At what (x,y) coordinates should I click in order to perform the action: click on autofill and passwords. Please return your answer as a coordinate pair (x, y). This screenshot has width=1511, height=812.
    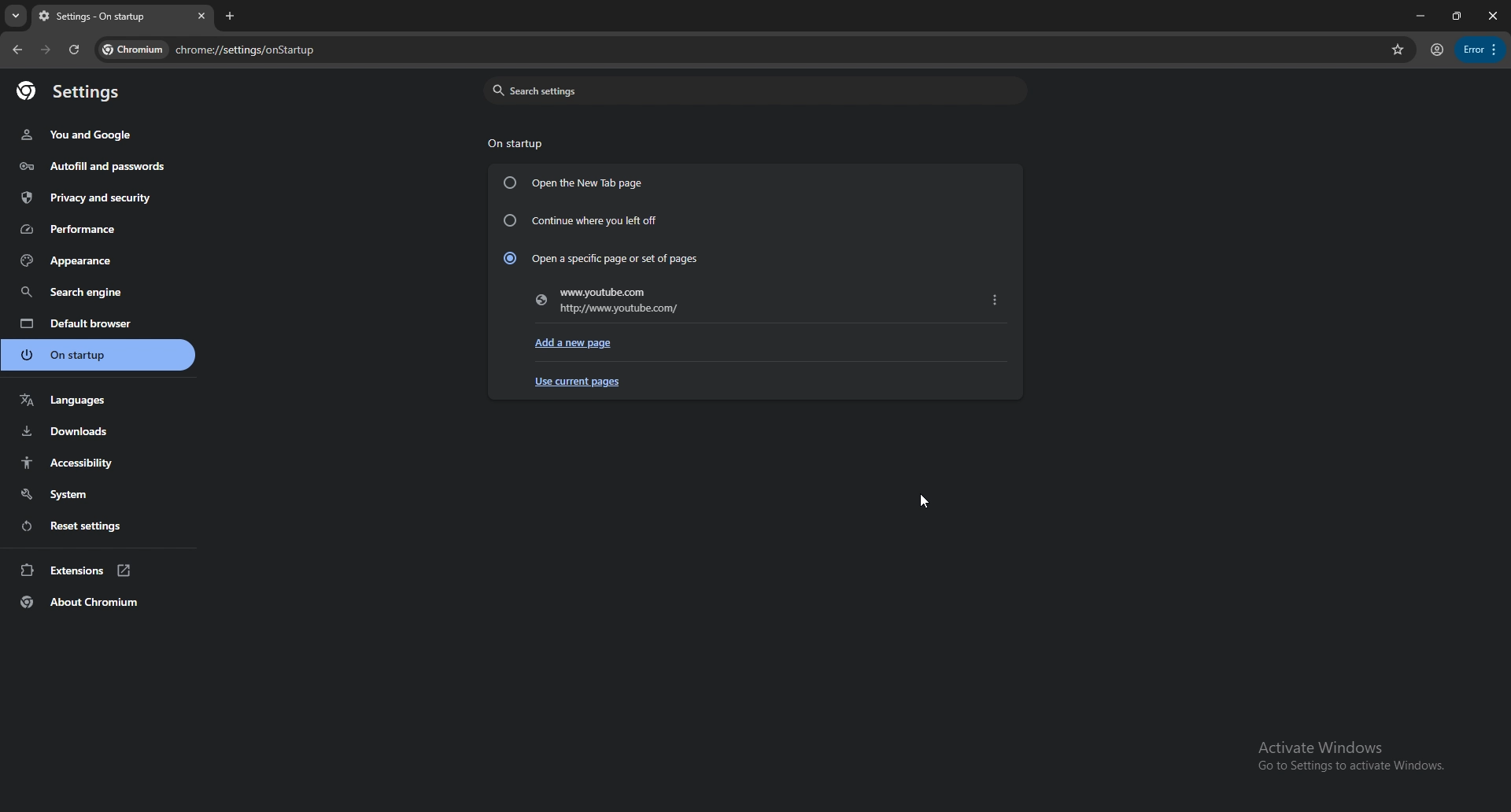
    Looking at the image, I should click on (93, 168).